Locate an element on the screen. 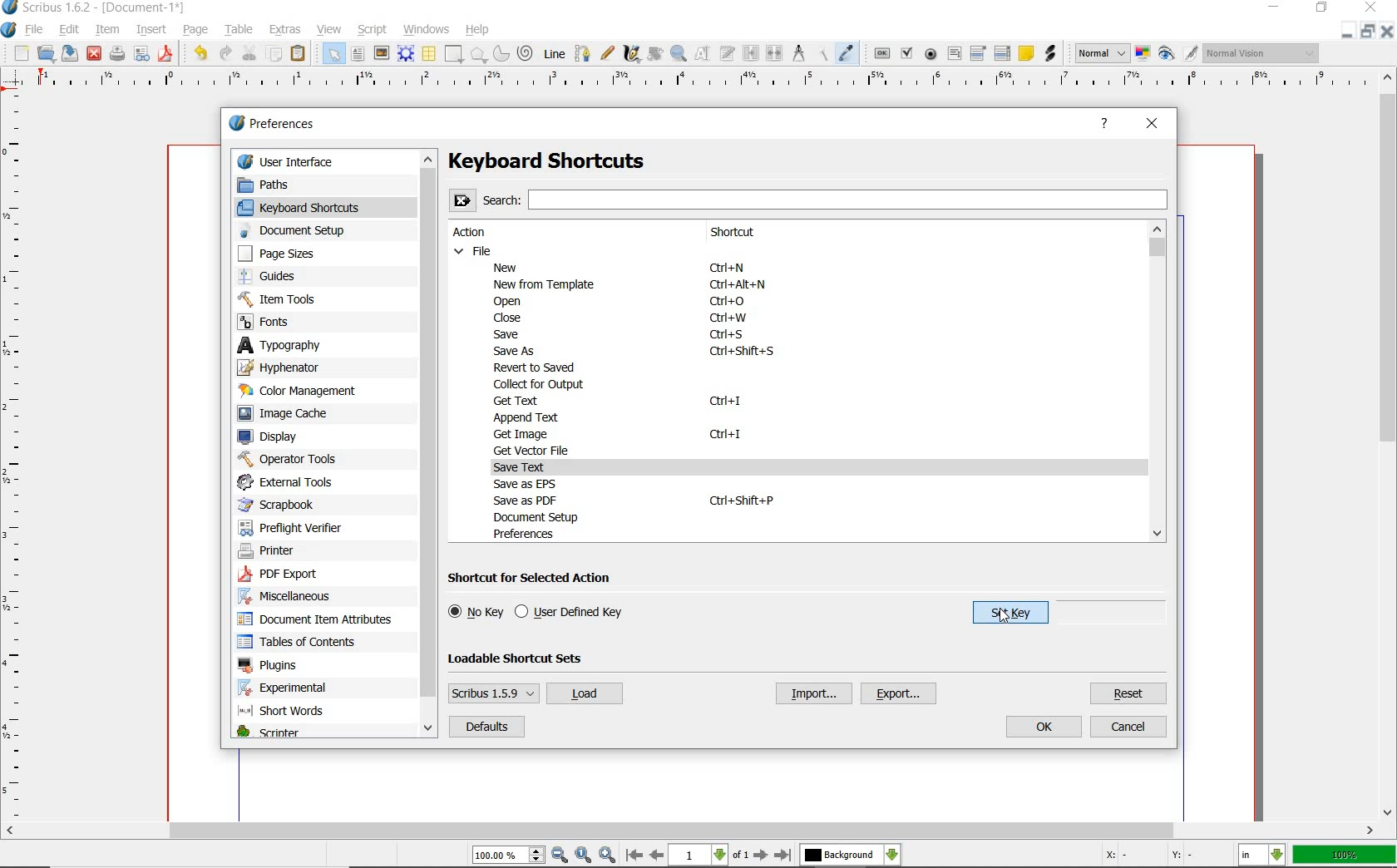 The height and width of the screenshot is (868, 1397). Ctrl + I is located at coordinates (725, 402).